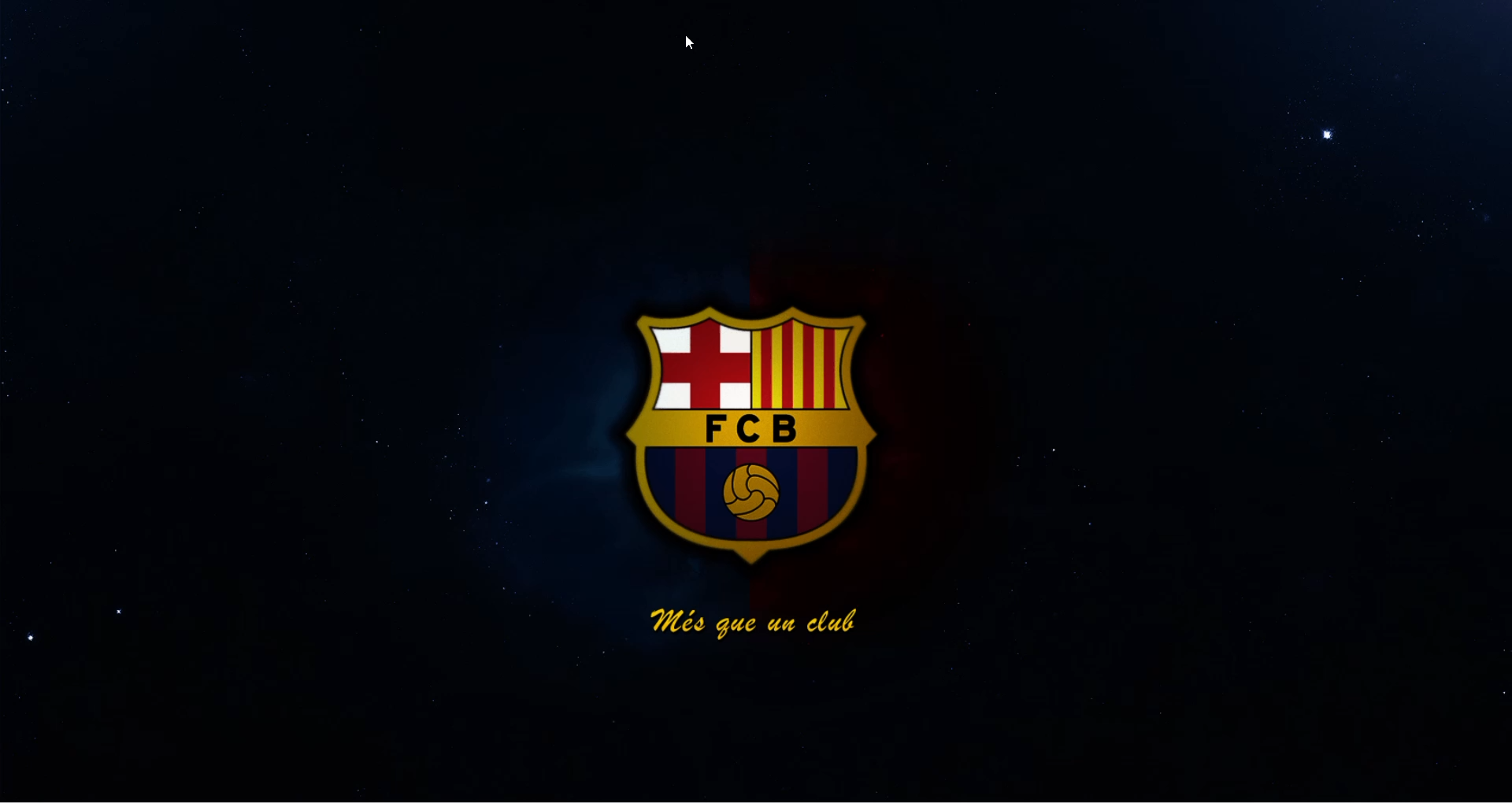  I want to click on cursor, so click(691, 43).